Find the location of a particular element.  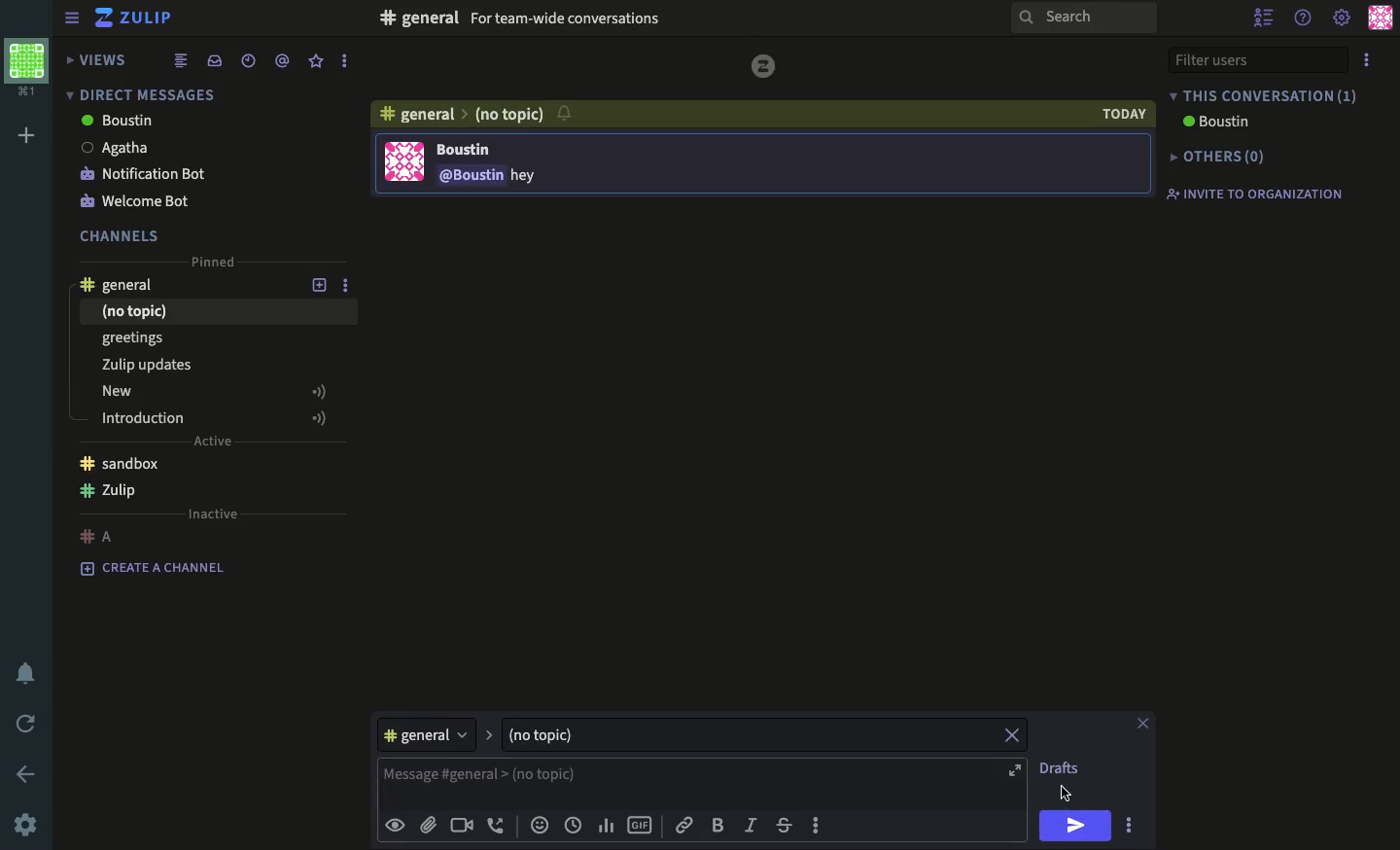

add new topic is located at coordinates (320, 287).